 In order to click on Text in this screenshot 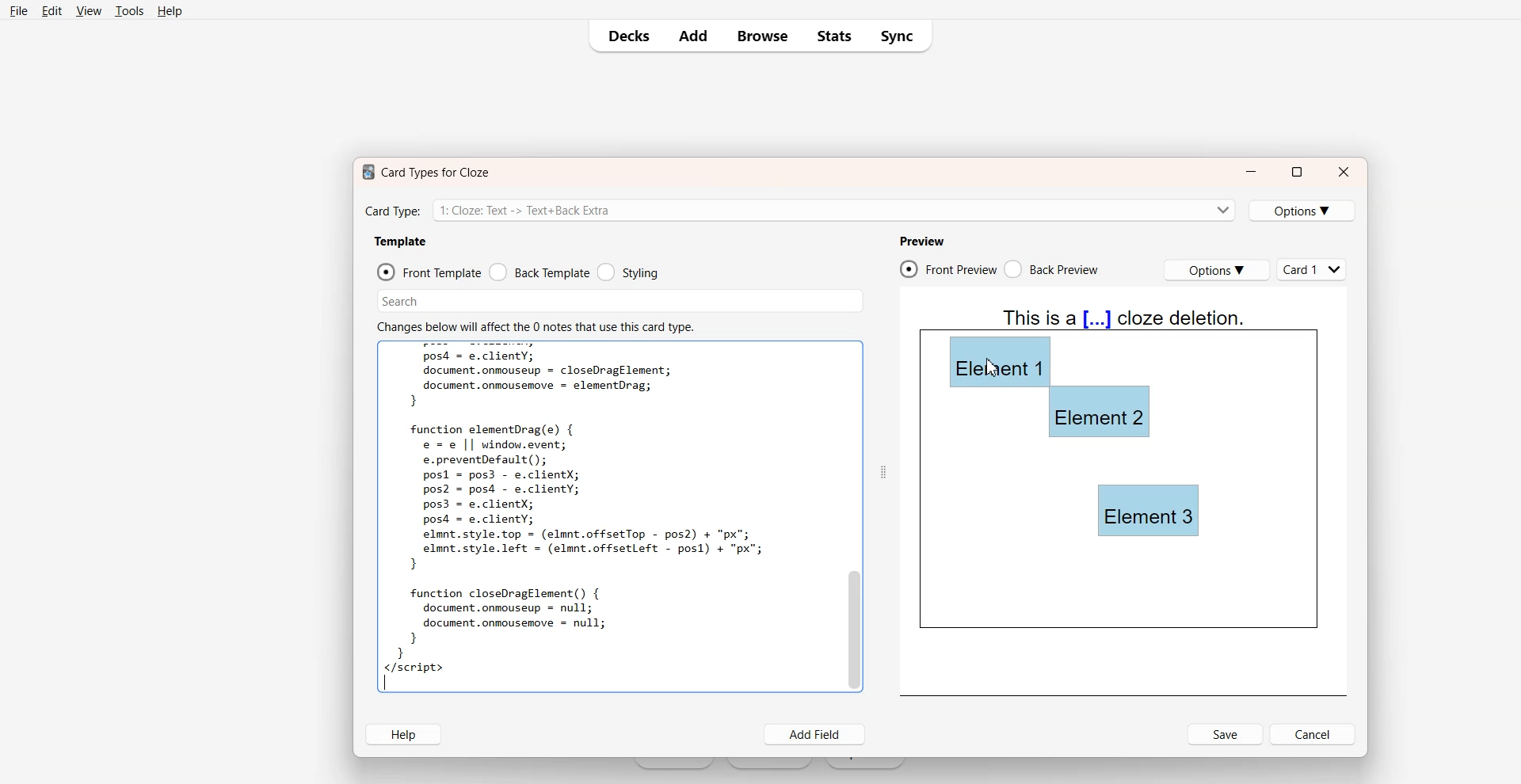, I will do `click(581, 516)`.